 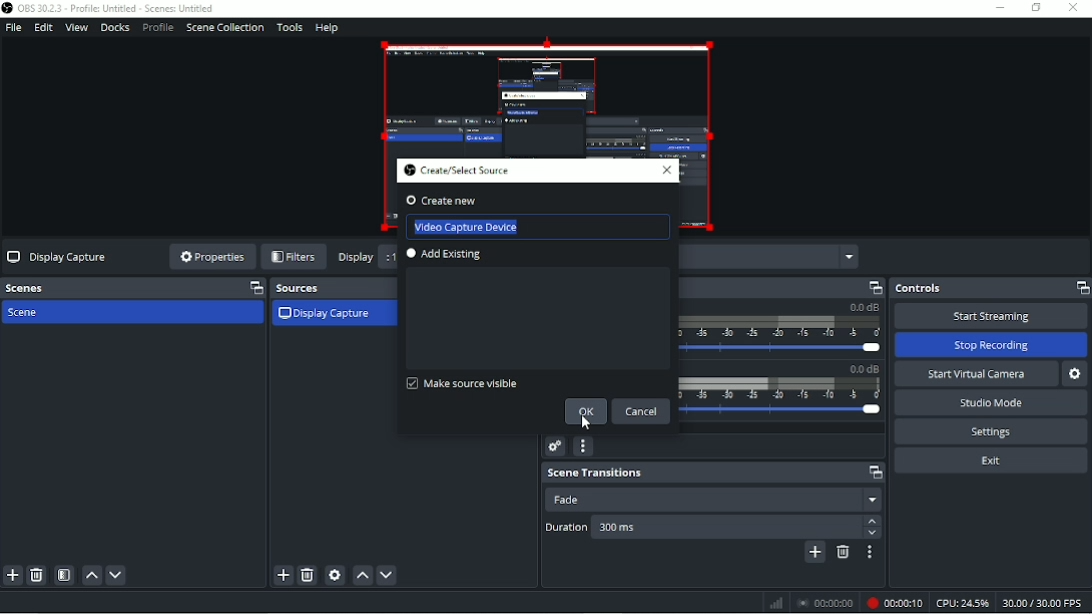 What do you see at coordinates (457, 172) in the screenshot?
I see `Create/Select source` at bounding box center [457, 172].